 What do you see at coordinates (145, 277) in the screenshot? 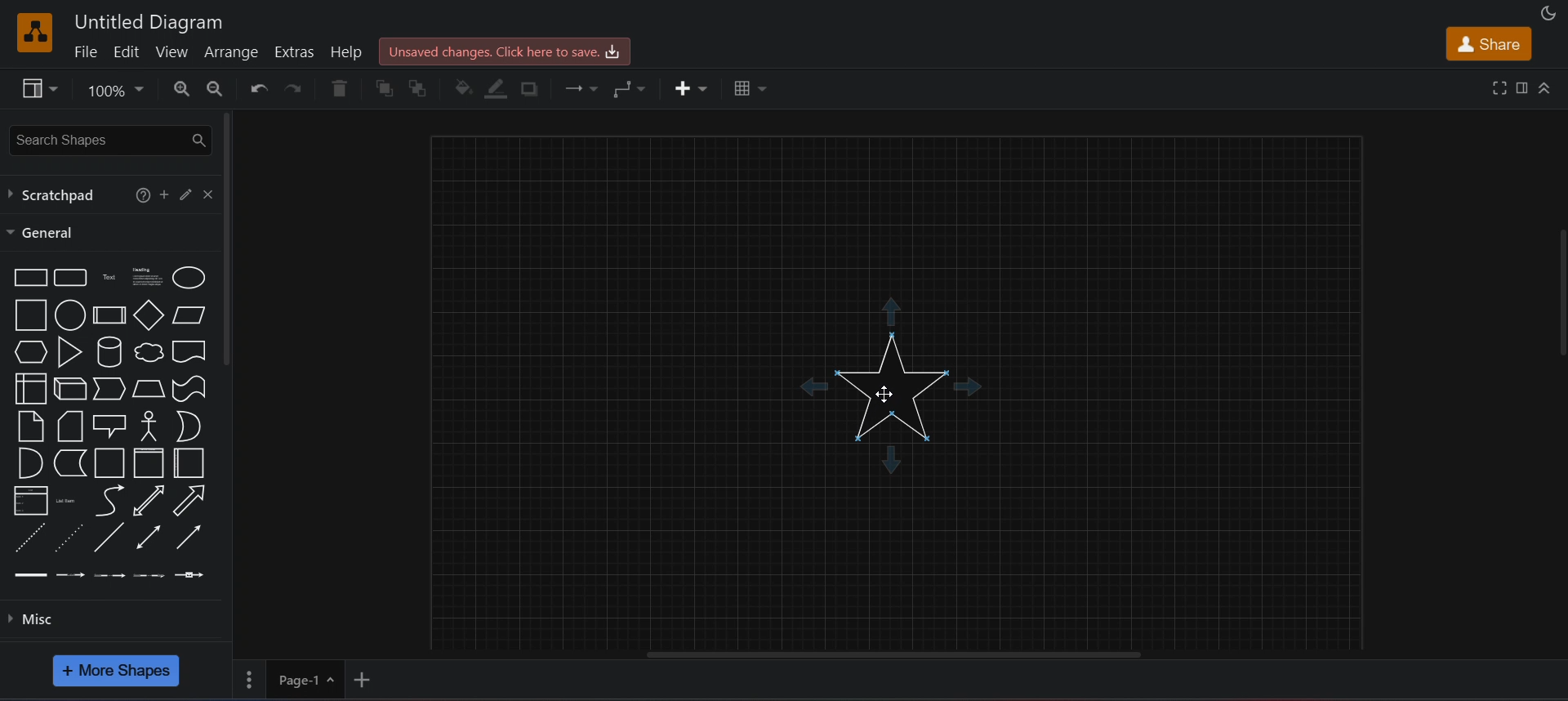
I see `heading` at bounding box center [145, 277].